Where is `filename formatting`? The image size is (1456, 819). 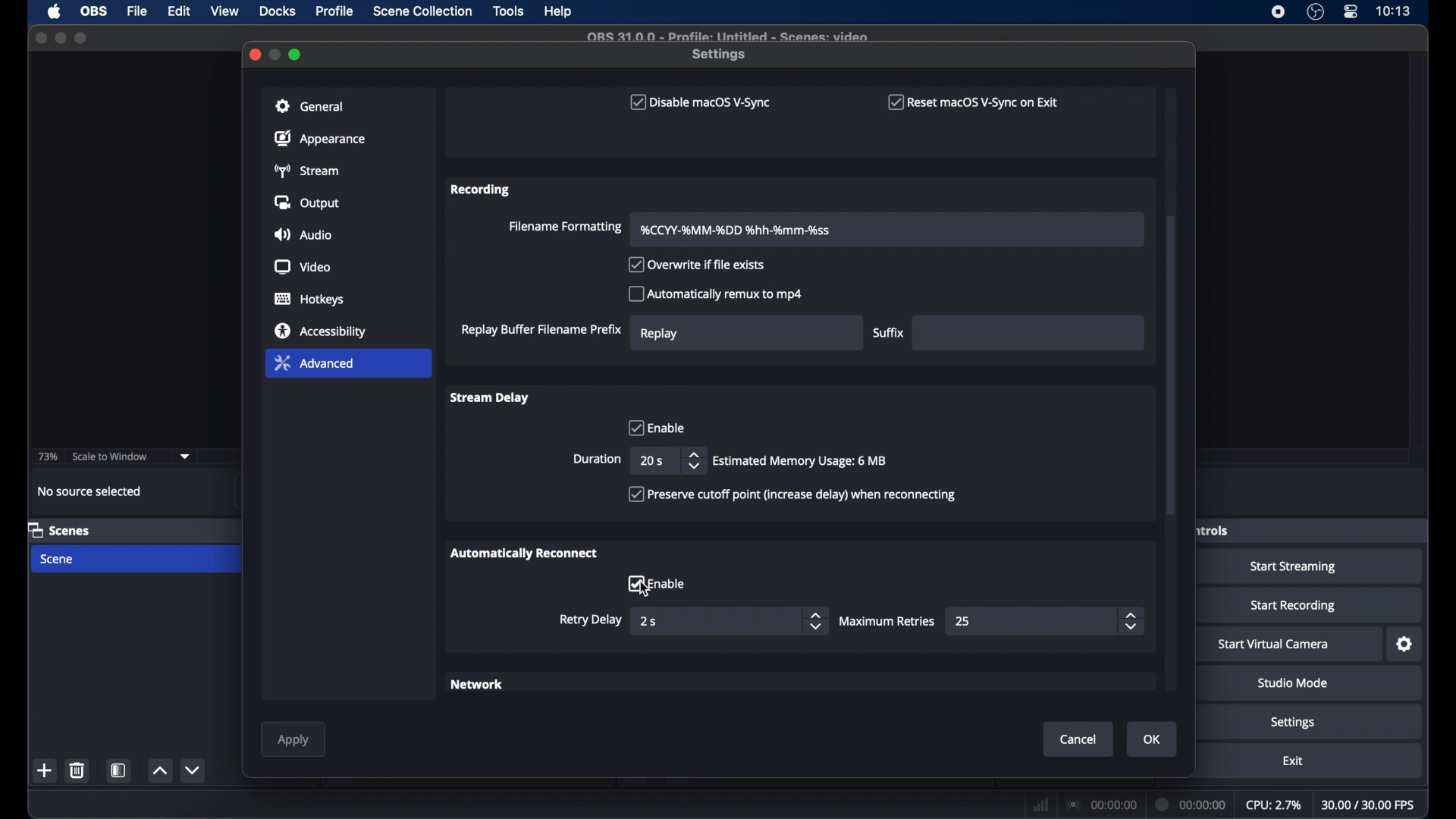
filename formatting is located at coordinates (563, 227).